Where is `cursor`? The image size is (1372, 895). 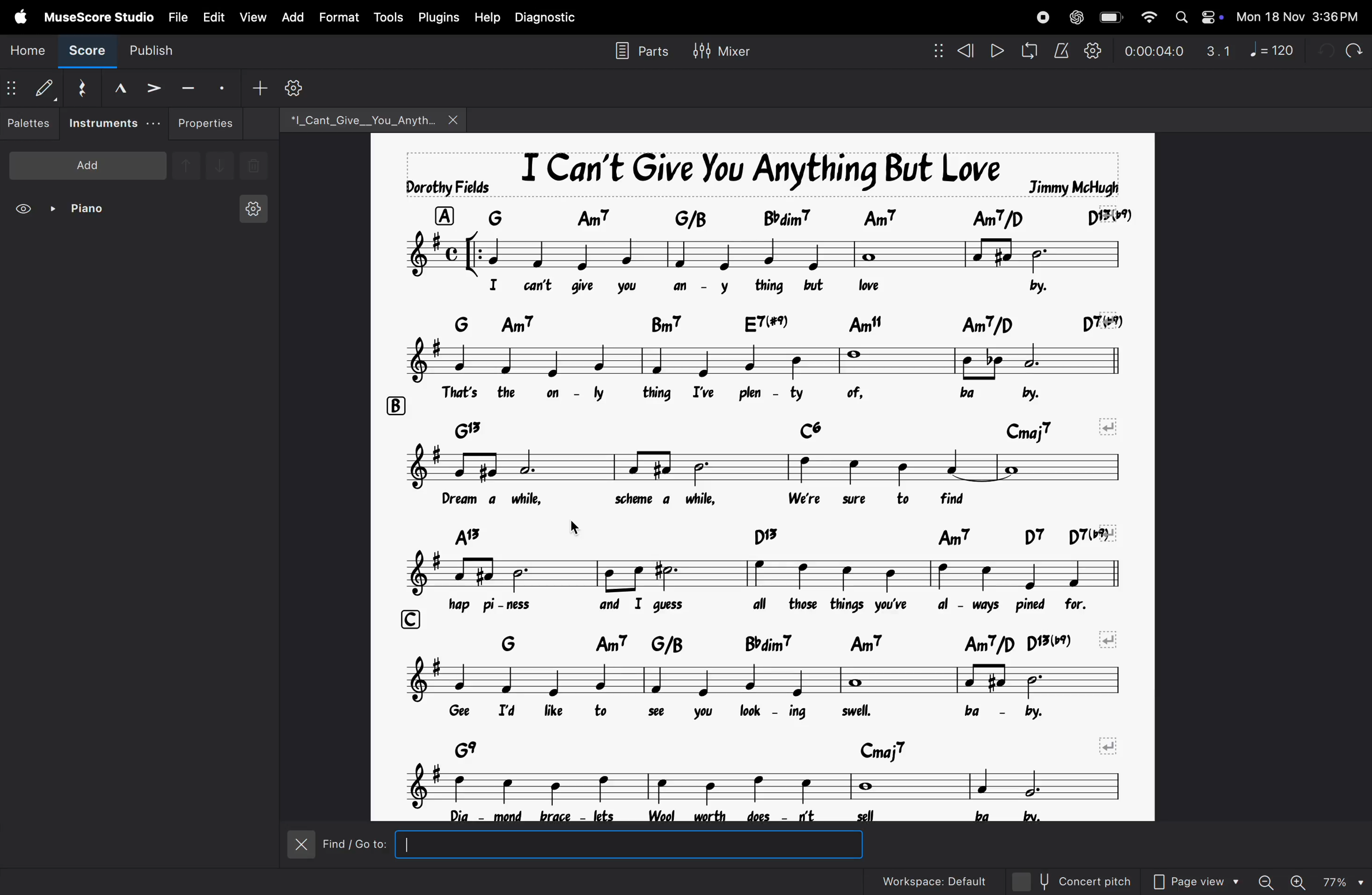 cursor is located at coordinates (574, 528).